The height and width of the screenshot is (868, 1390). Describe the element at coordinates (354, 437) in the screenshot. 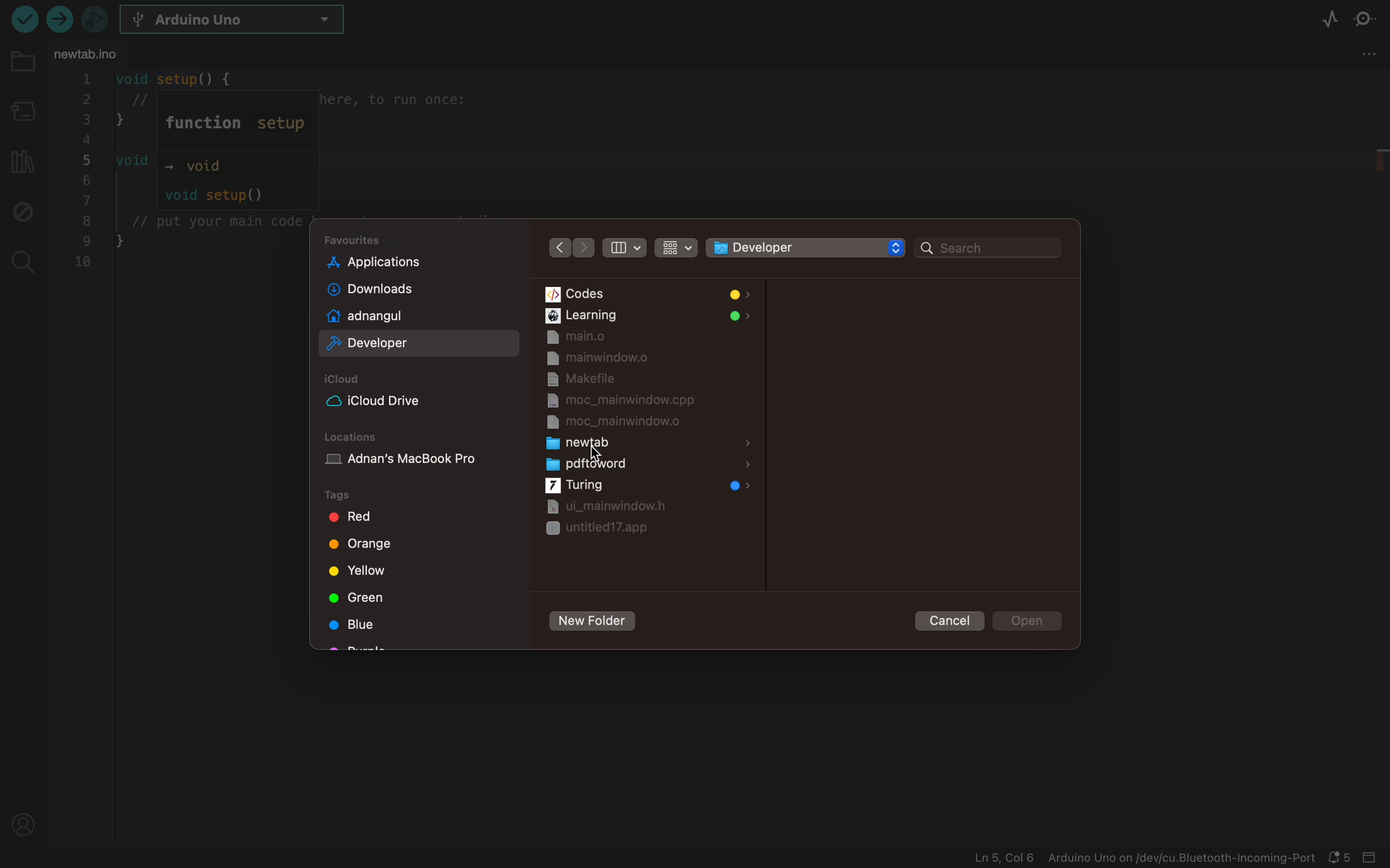

I see `locations` at that location.